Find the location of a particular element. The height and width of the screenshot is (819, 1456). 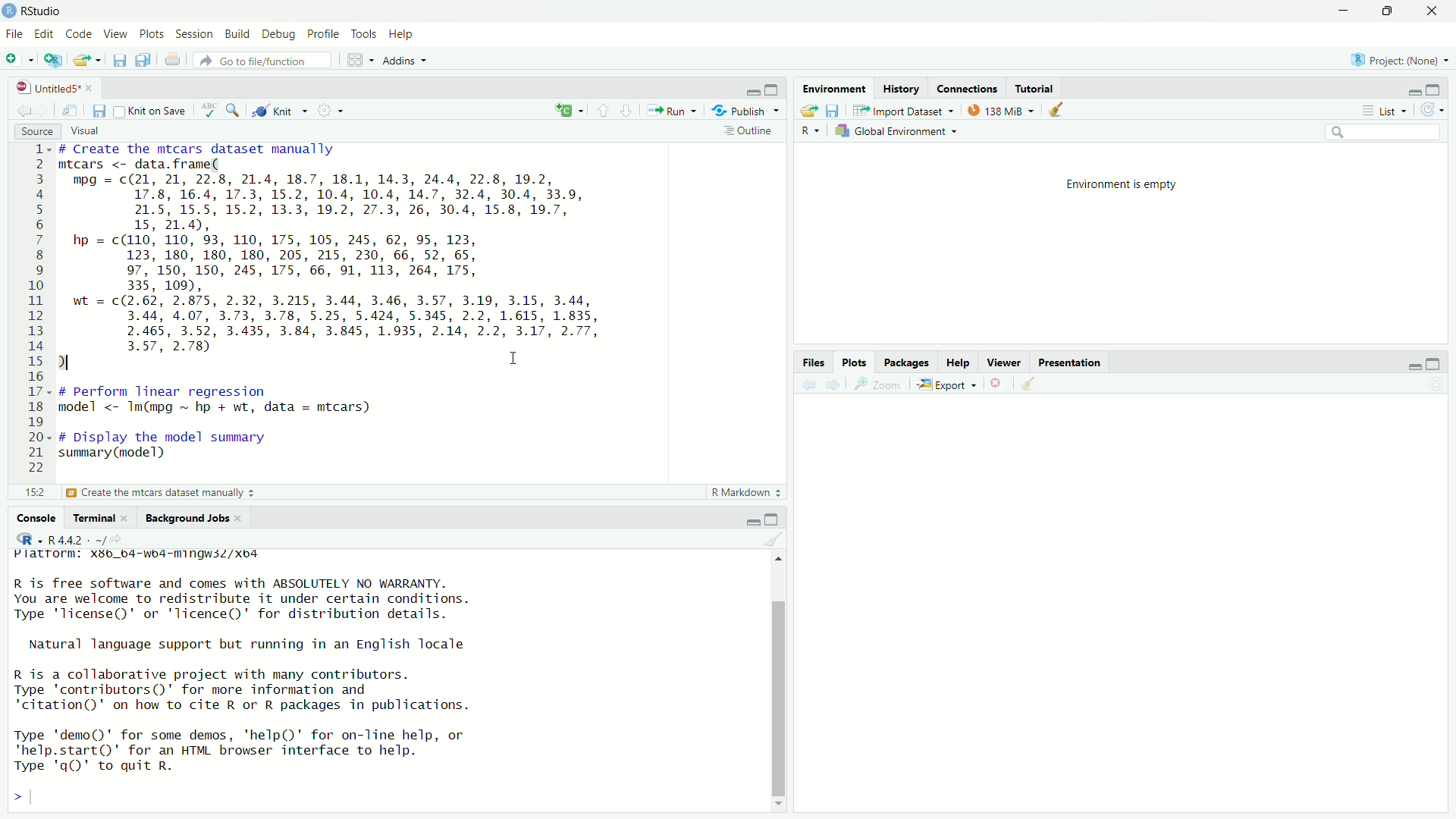

line numbers is located at coordinates (38, 309).